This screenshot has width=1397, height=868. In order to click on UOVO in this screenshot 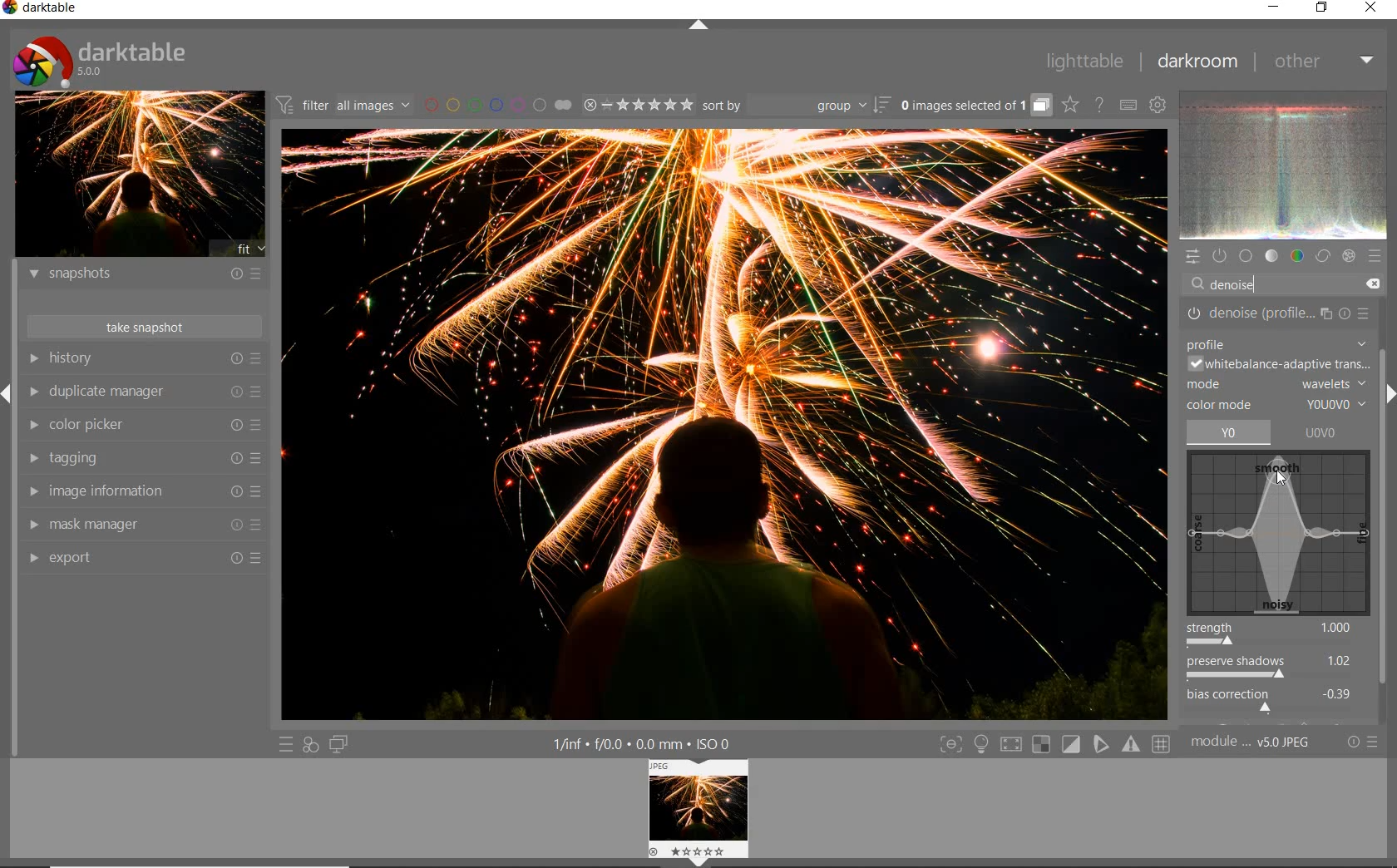, I will do `click(1329, 433)`.